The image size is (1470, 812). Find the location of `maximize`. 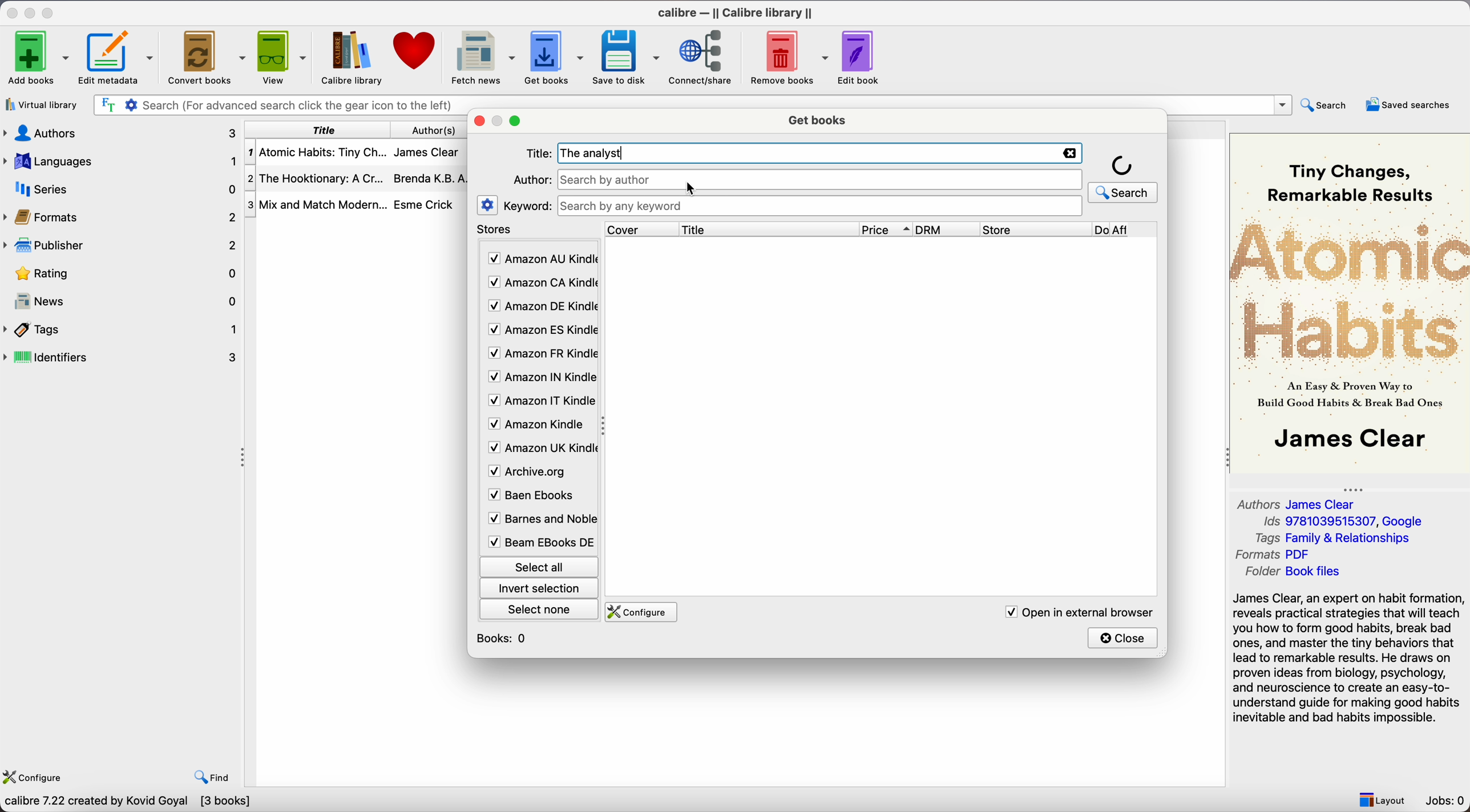

maximize is located at coordinates (50, 11).